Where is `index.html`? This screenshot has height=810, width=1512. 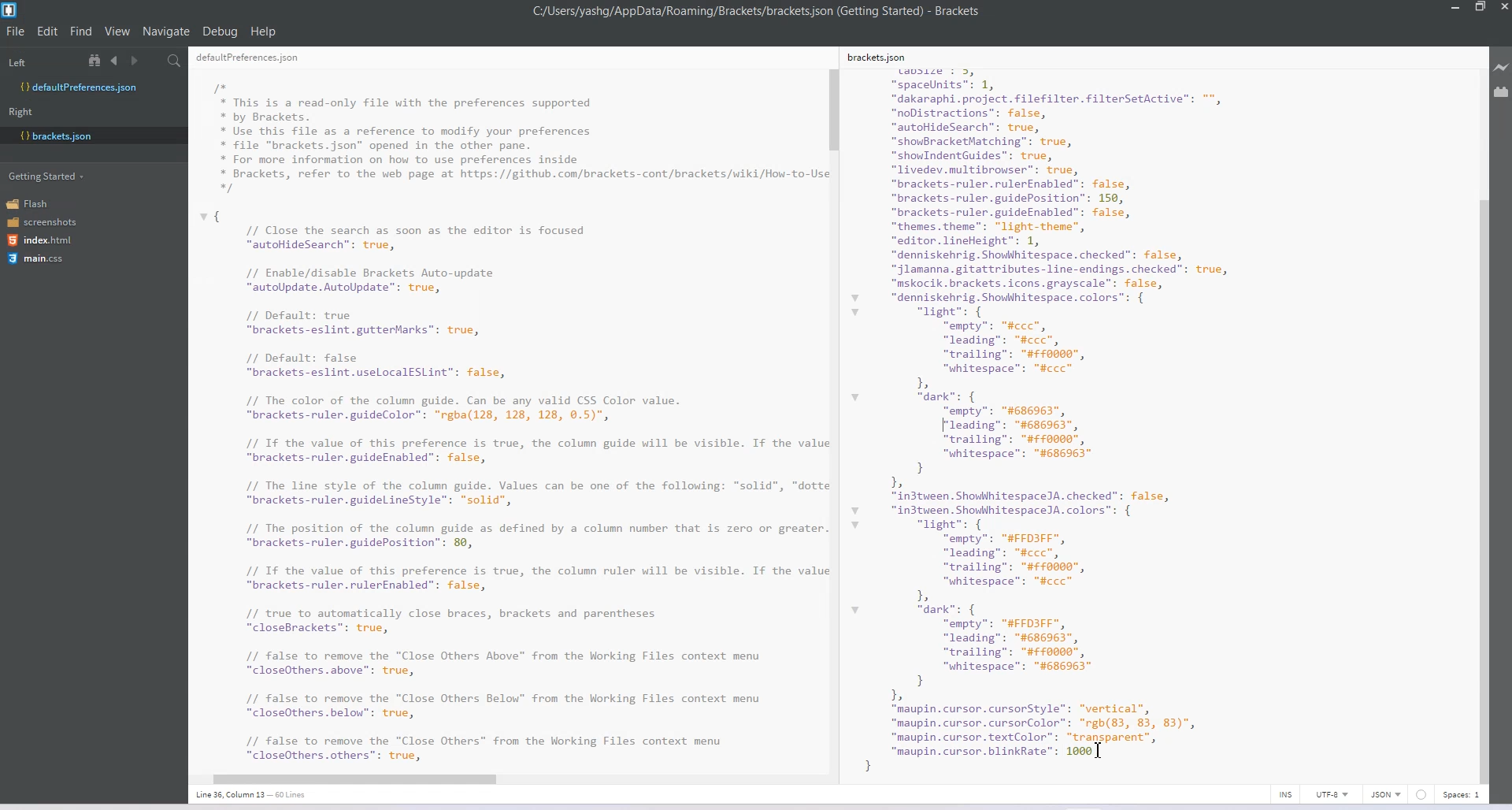
index.html is located at coordinates (45, 240).